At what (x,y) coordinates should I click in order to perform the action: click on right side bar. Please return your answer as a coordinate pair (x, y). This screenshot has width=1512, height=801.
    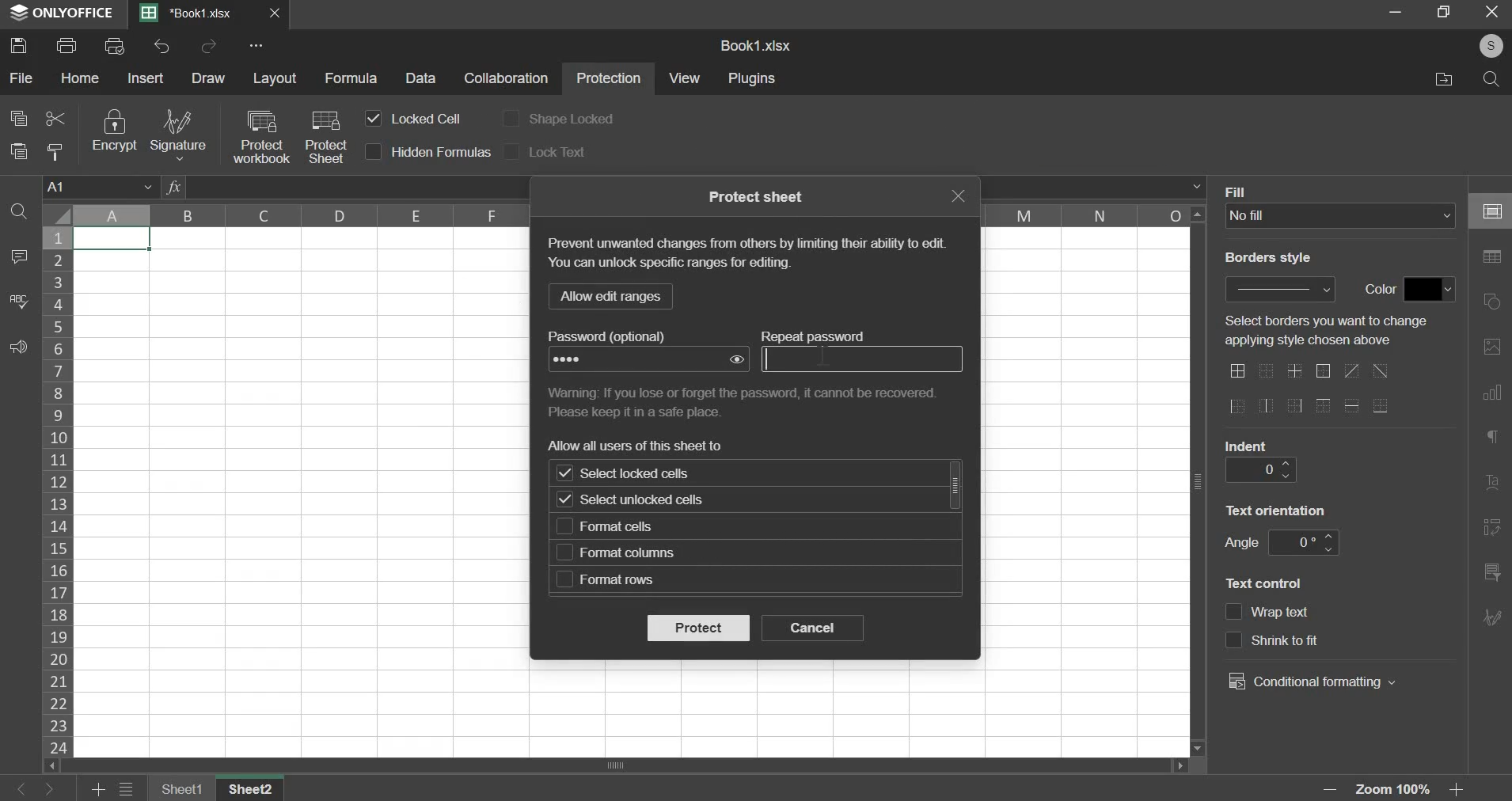
    Looking at the image, I should click on (1495, 436).